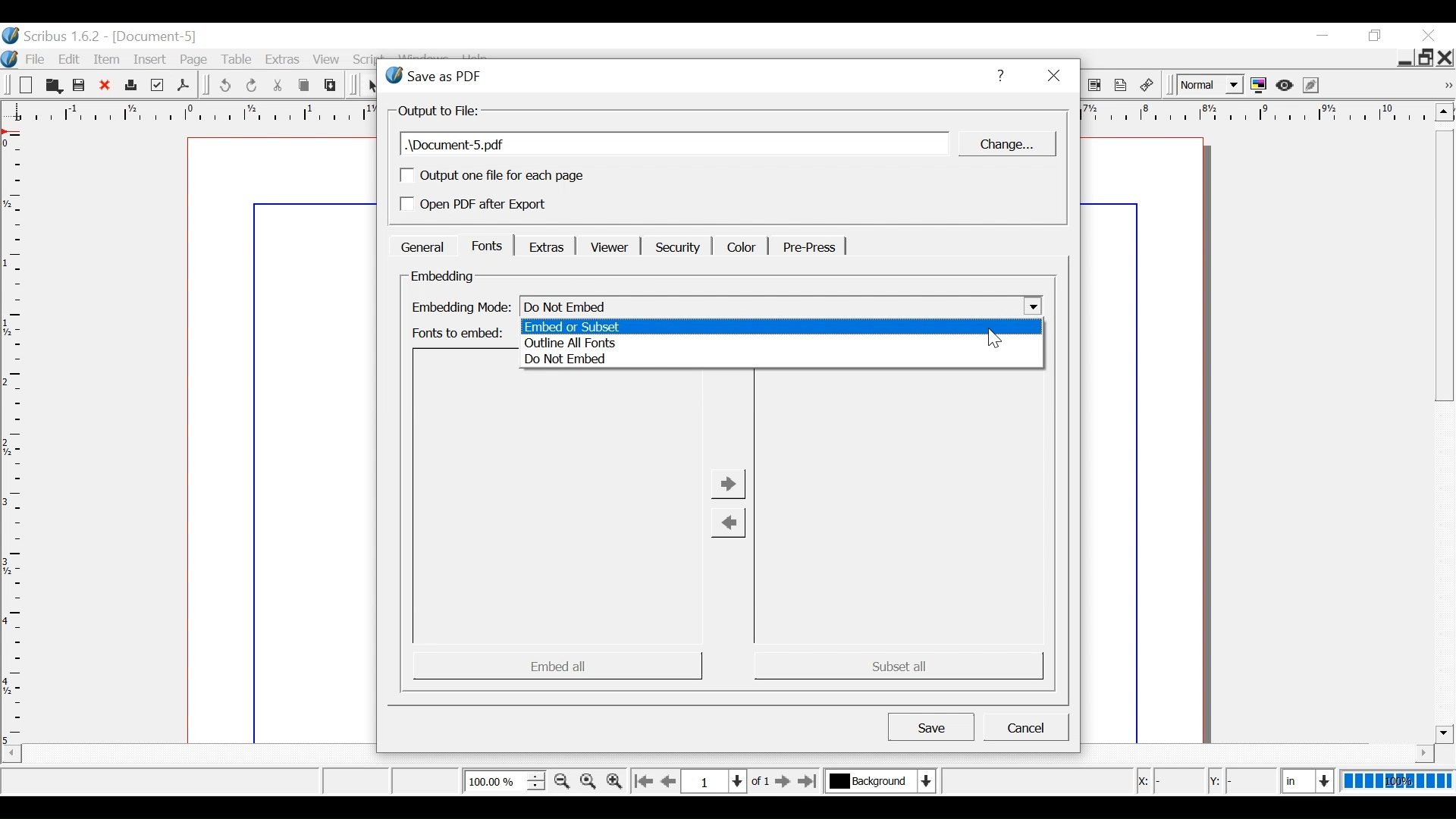  I want to click on Go to the next page, so click(784, 782).